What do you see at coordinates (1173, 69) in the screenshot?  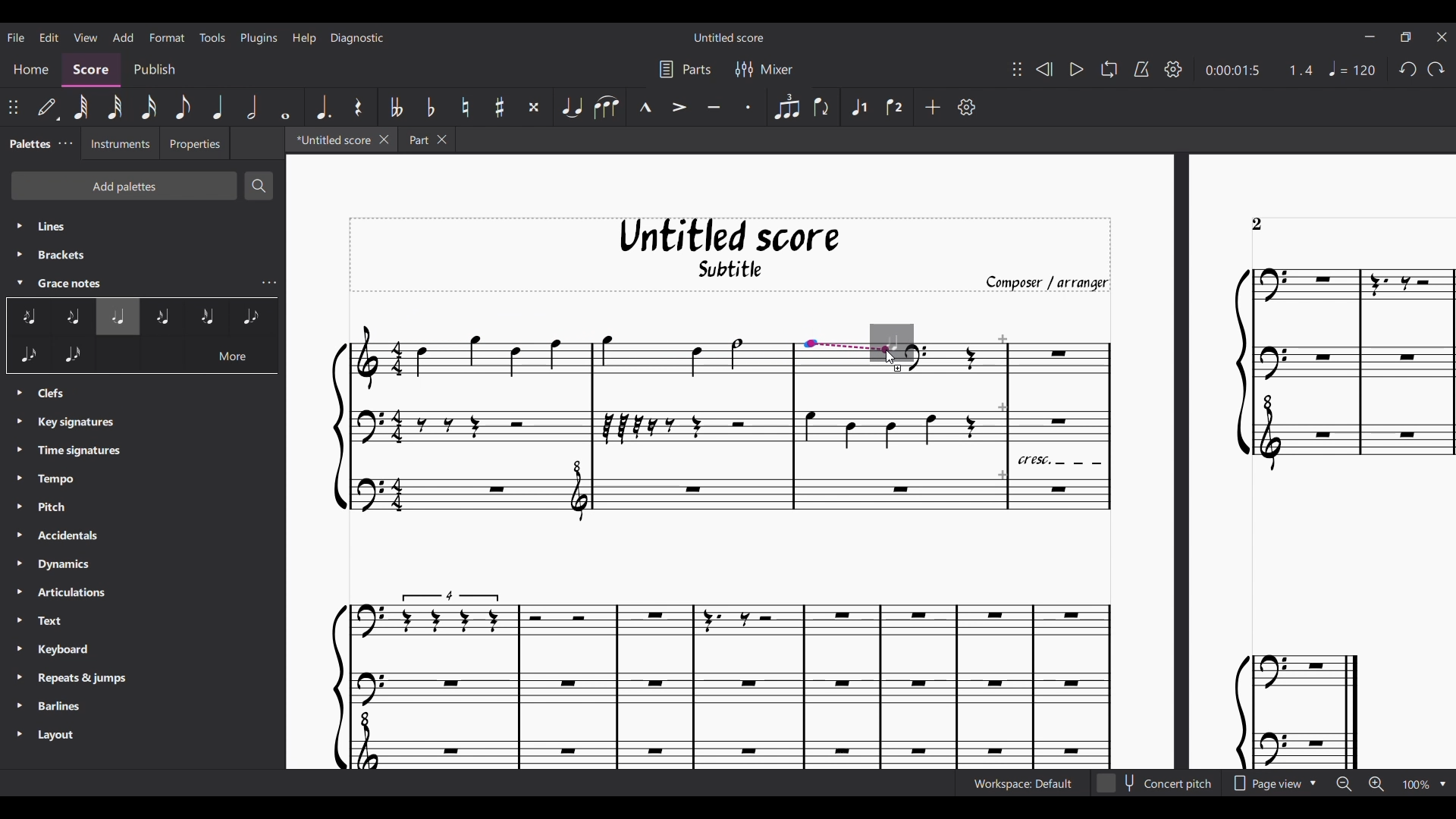 I see `Playback settings` at bounding box center [1173, 69].